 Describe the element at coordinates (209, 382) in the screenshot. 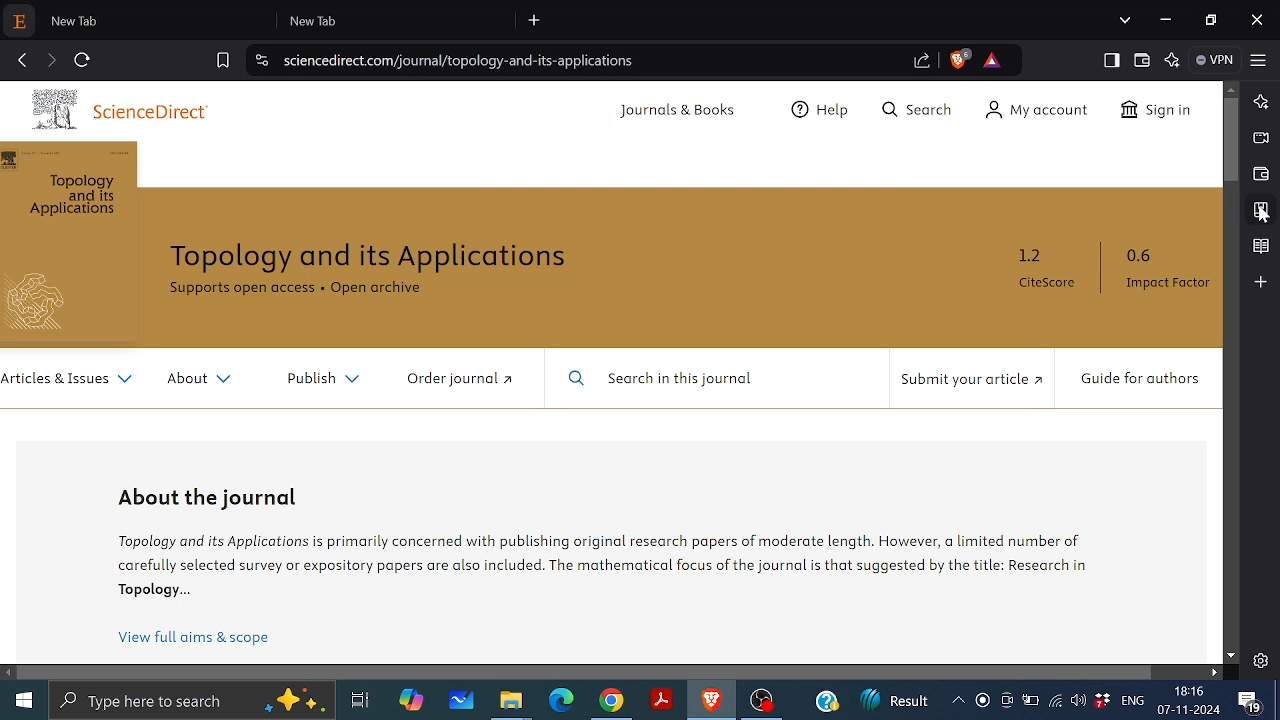

I see `About` at that location.